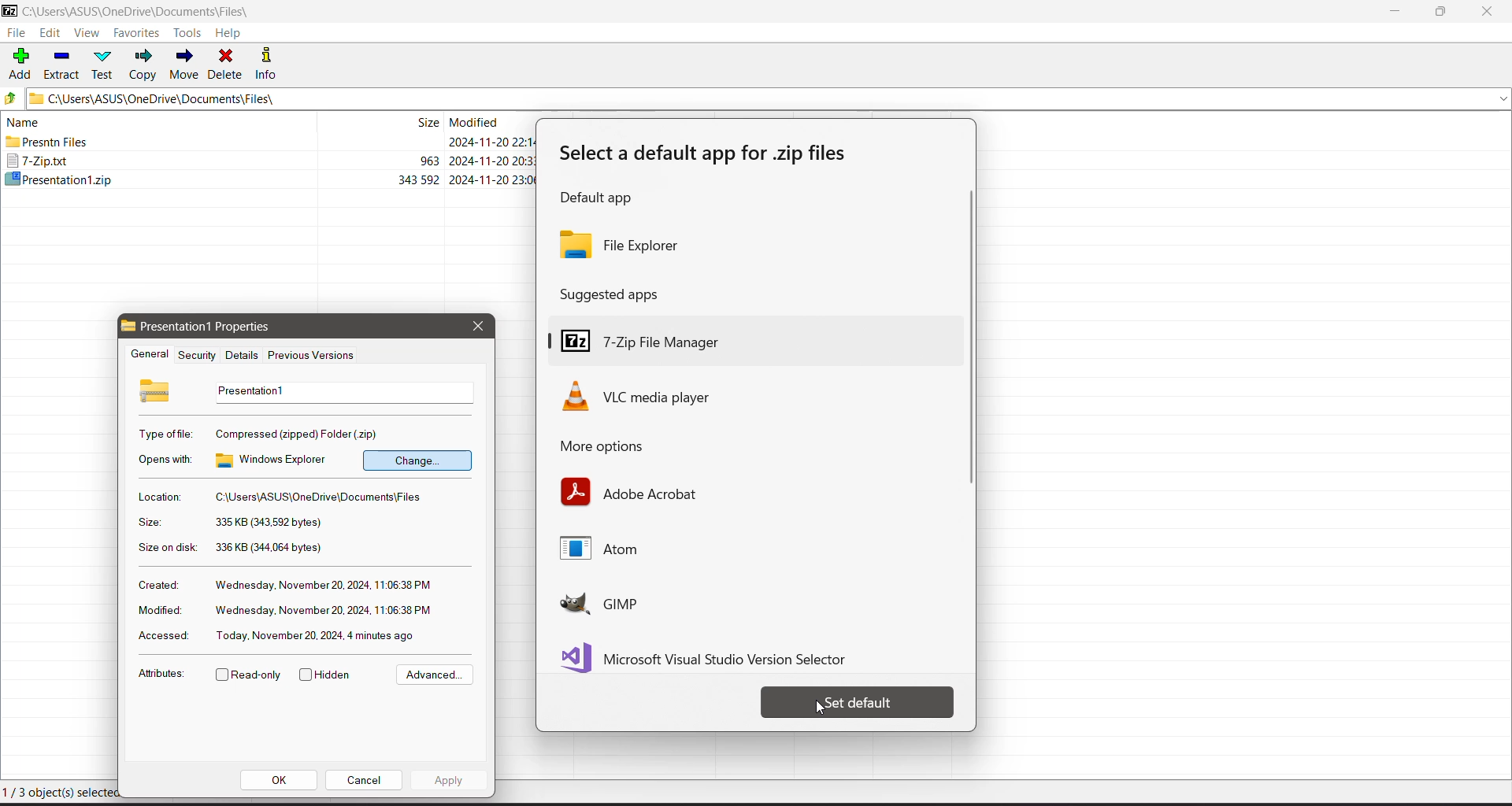  I want to click on Hidden- click to enable/disable, so click(328, 675).